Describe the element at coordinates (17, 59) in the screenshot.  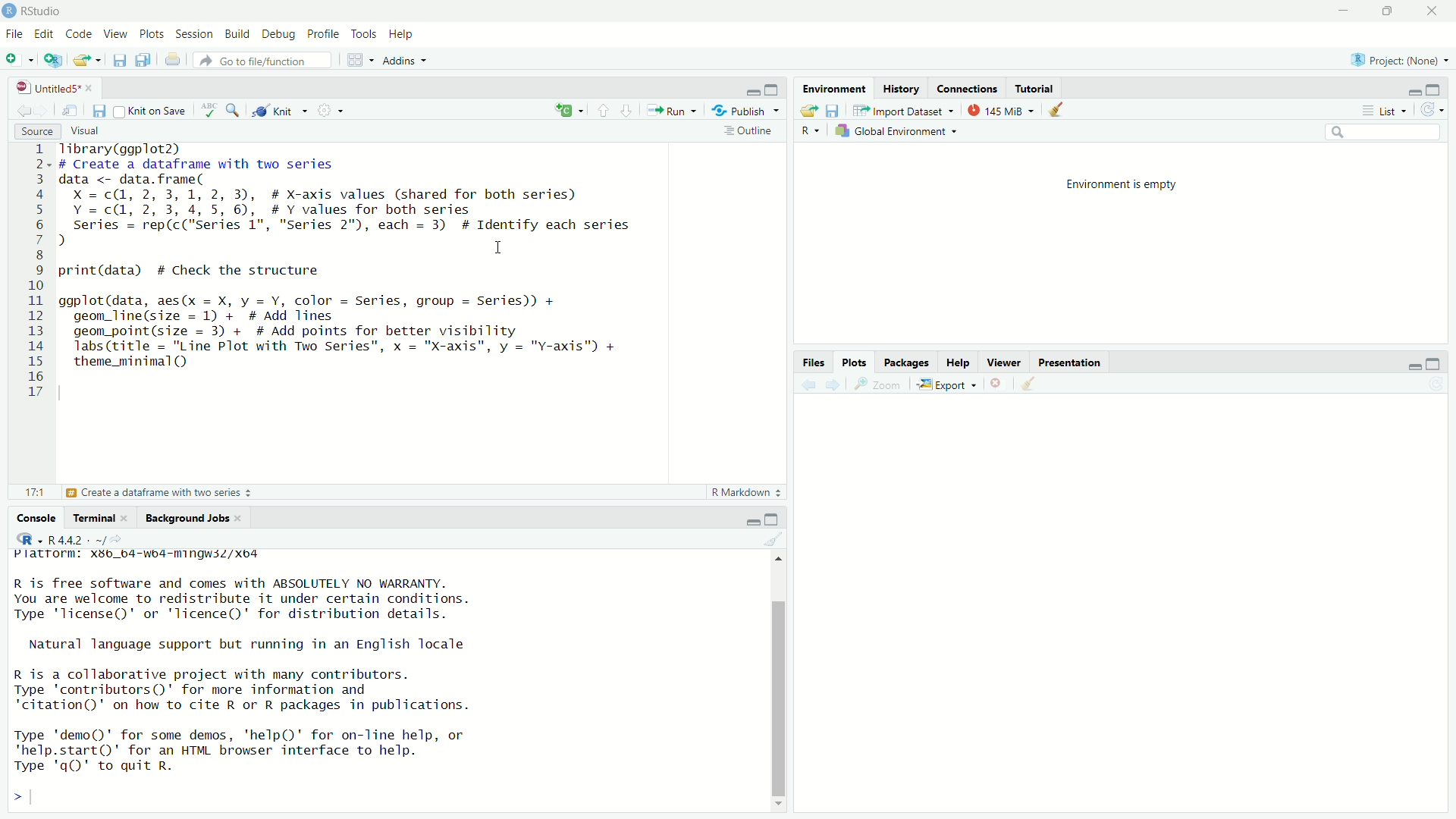
I see `New file` at that location.